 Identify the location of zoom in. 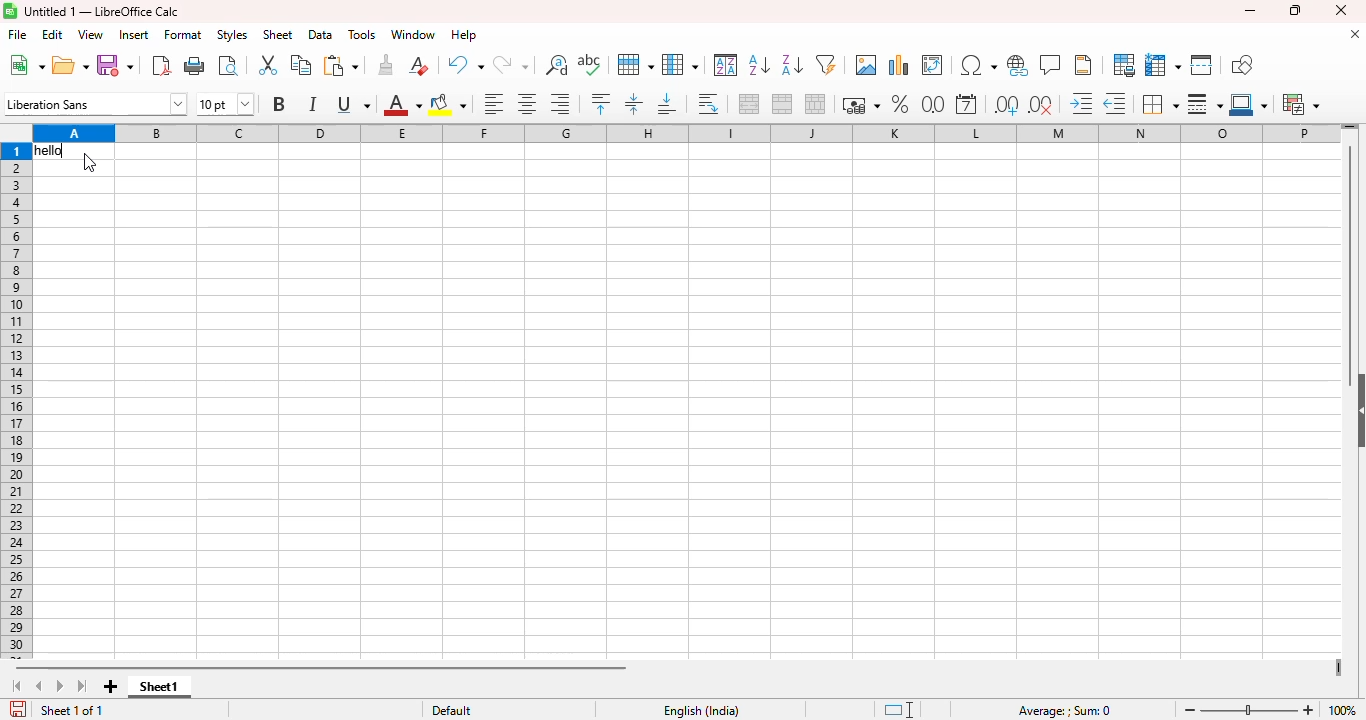
(1308, 710).